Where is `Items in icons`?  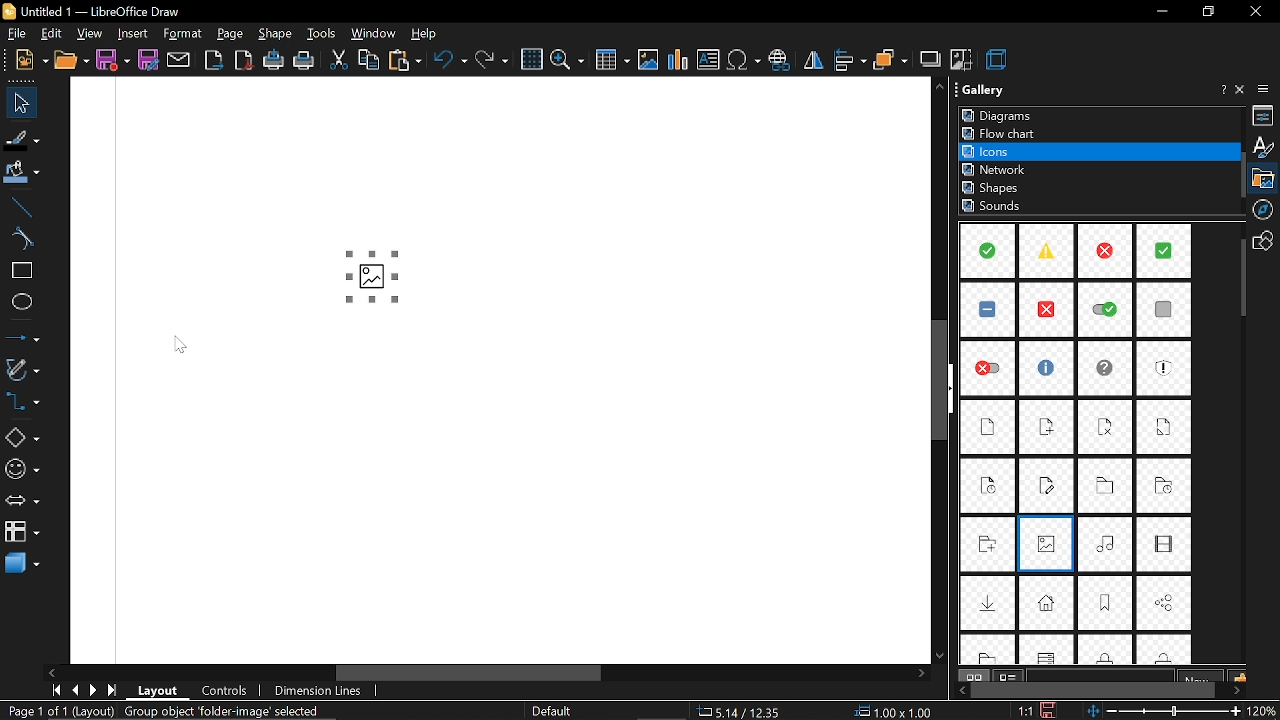 Items in icons is located at coordinates (1078, 445).